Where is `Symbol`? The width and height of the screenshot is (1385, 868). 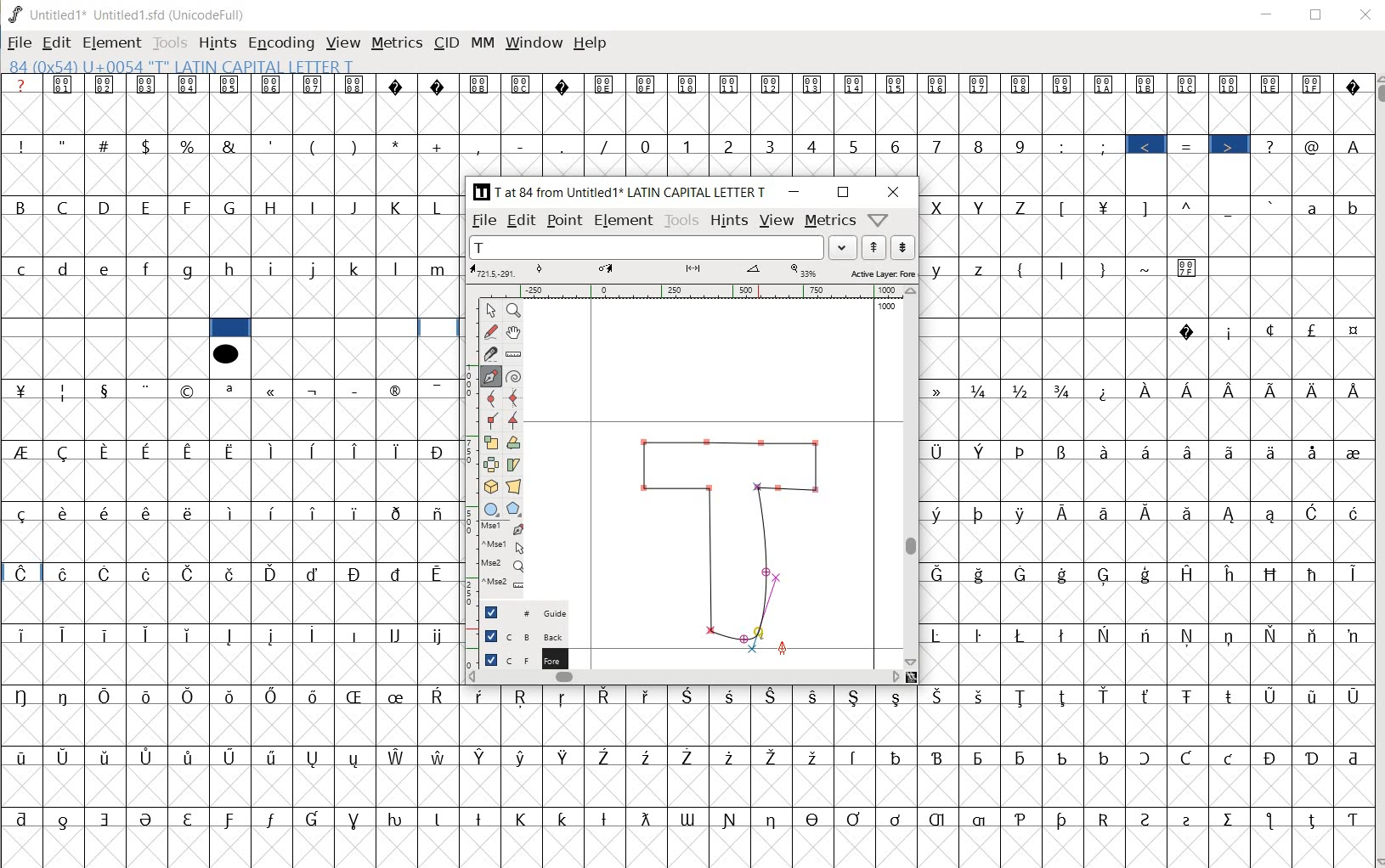
Symbol is located at coordinates (354, 696).